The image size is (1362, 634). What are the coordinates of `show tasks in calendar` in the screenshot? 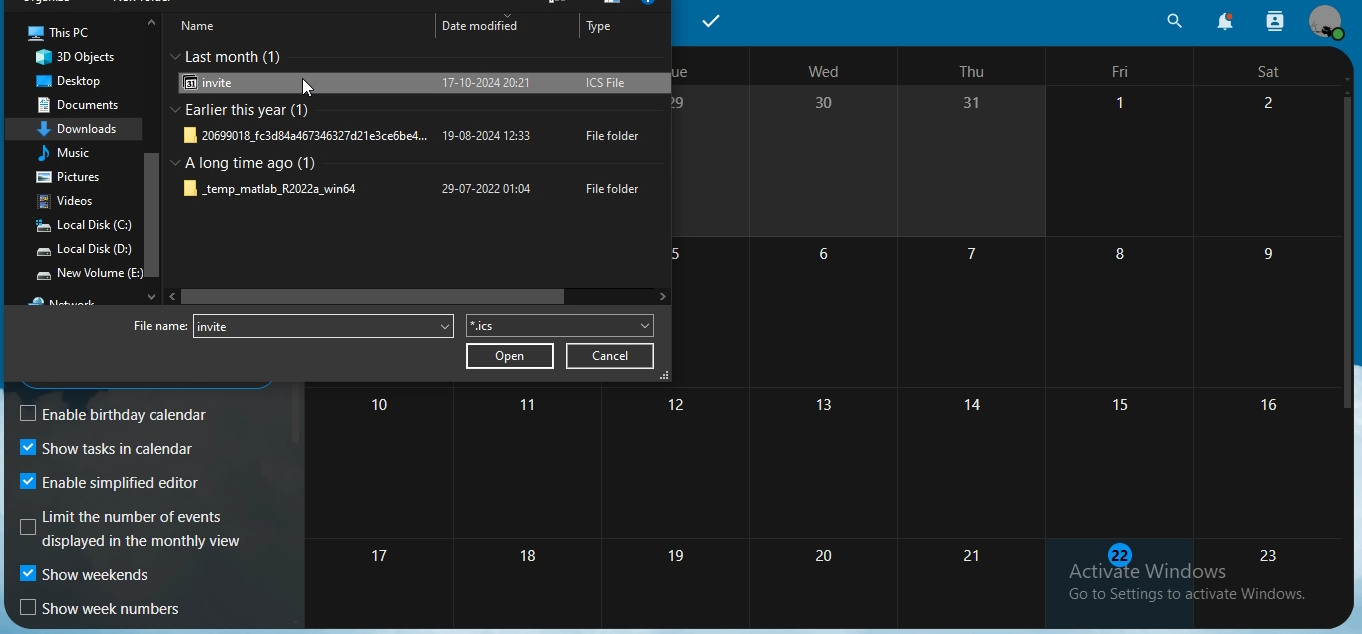 It's located at (107, 449).